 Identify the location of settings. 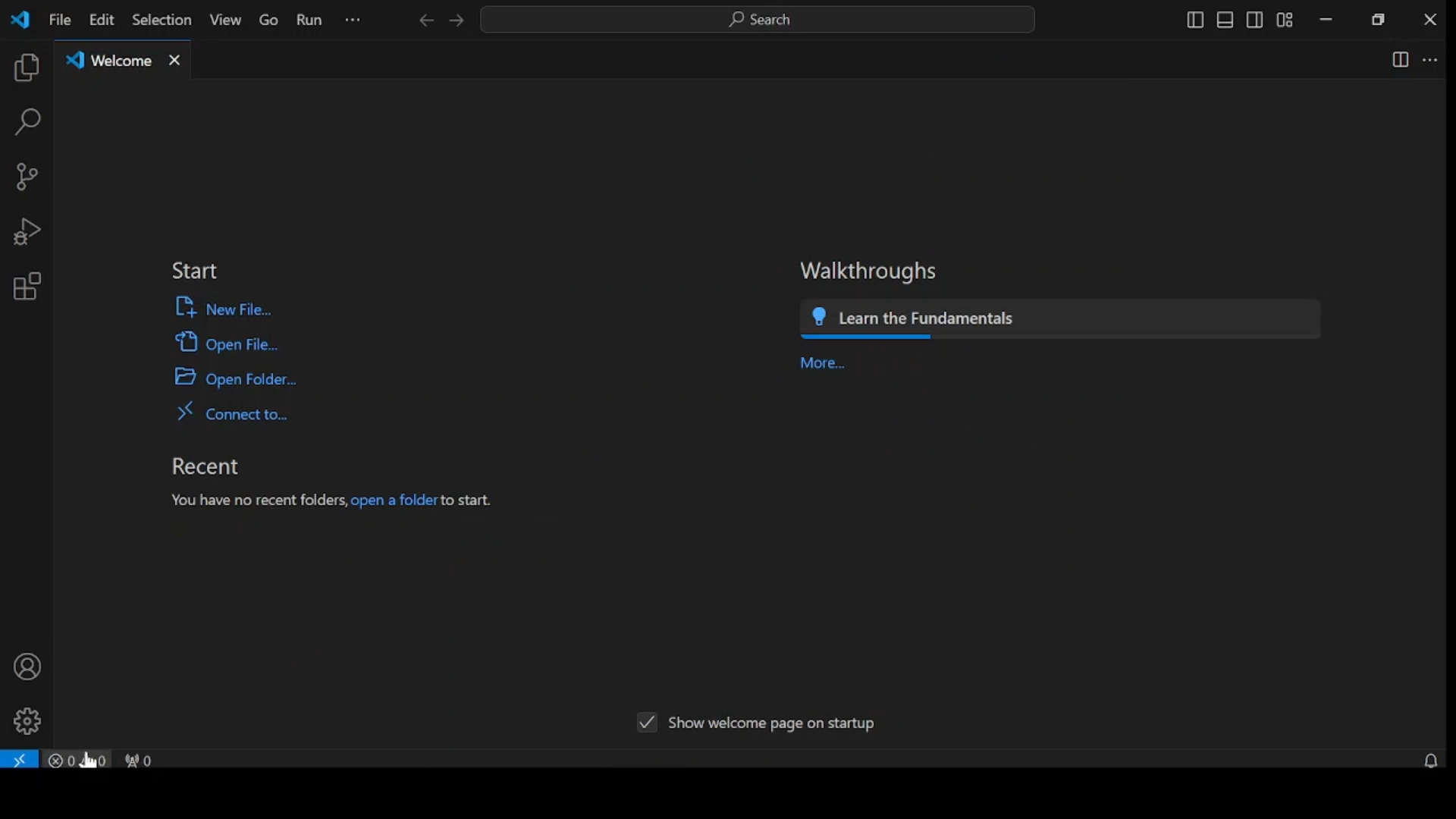
(28, 721).